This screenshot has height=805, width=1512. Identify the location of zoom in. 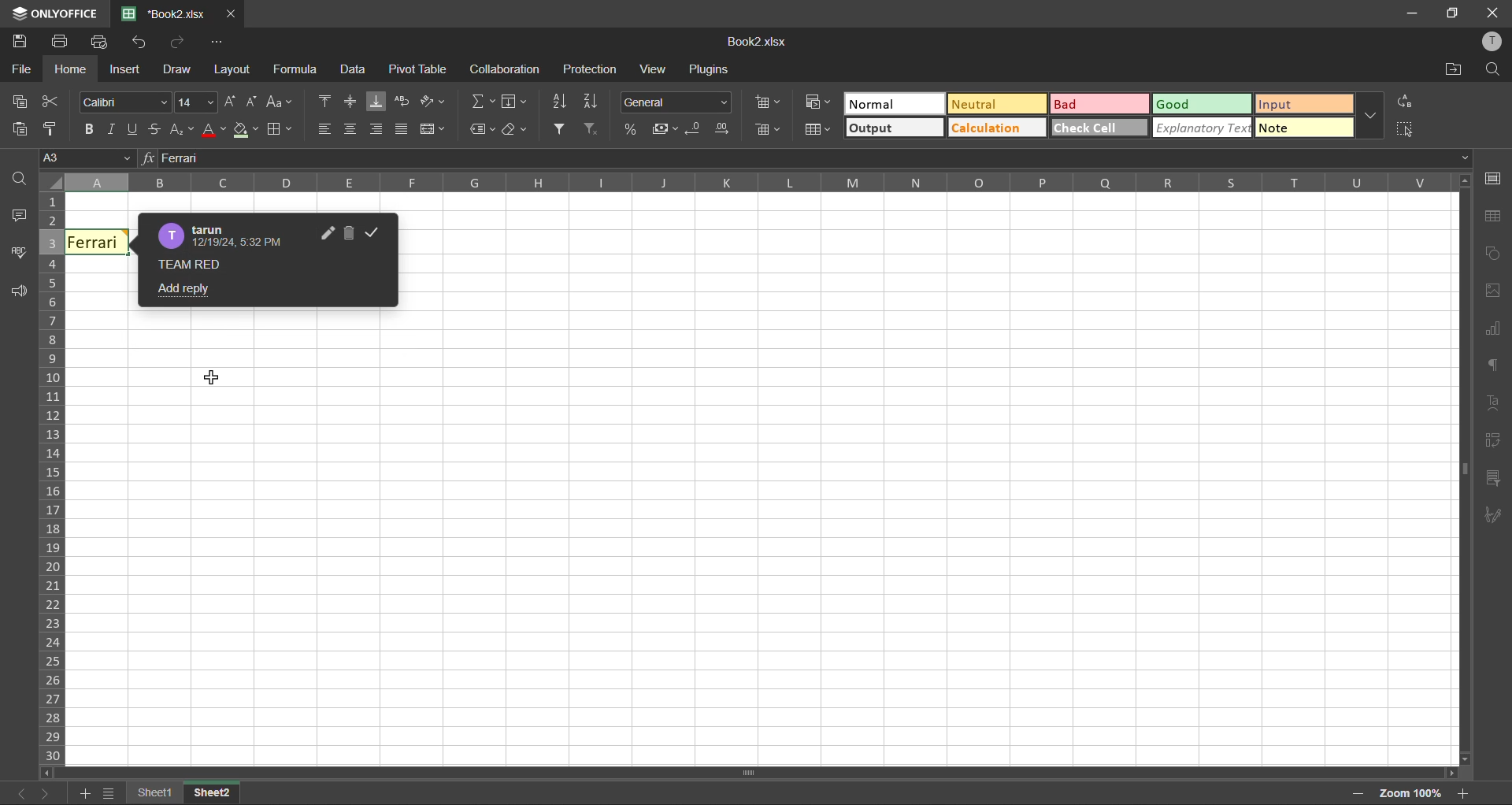
(1466, 792).